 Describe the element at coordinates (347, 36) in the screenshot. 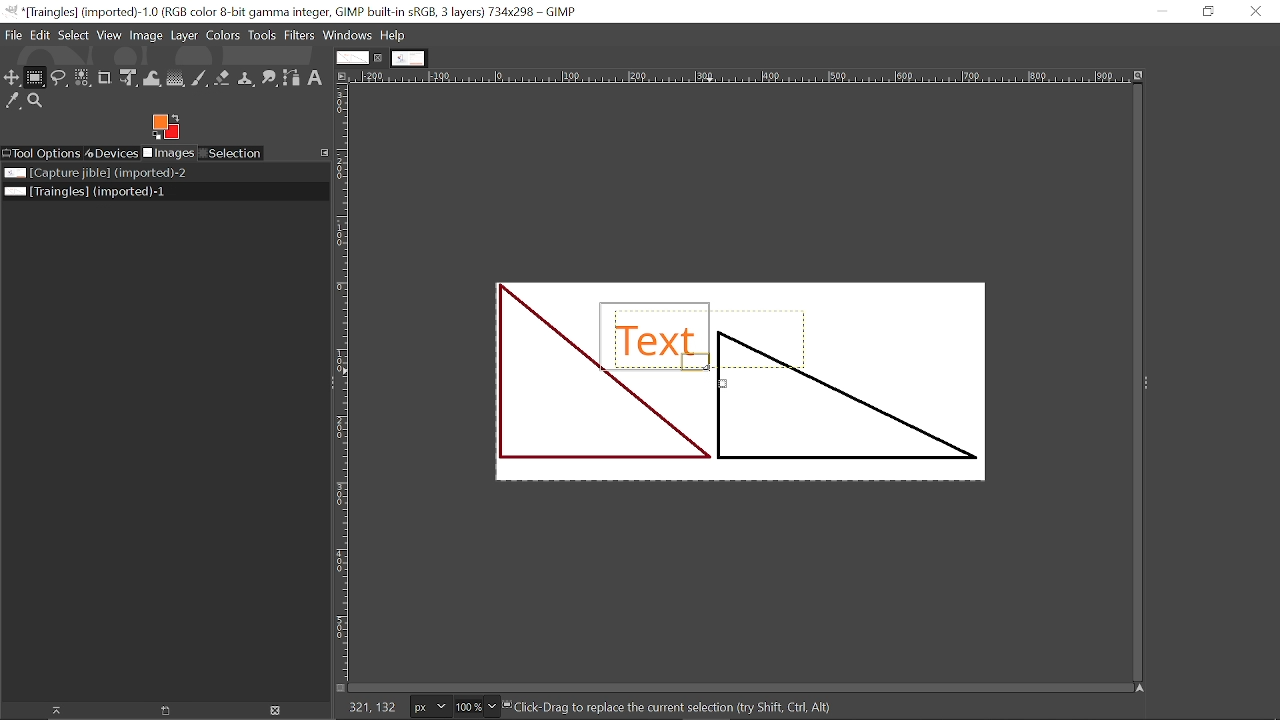

I see `Windows` at that location.